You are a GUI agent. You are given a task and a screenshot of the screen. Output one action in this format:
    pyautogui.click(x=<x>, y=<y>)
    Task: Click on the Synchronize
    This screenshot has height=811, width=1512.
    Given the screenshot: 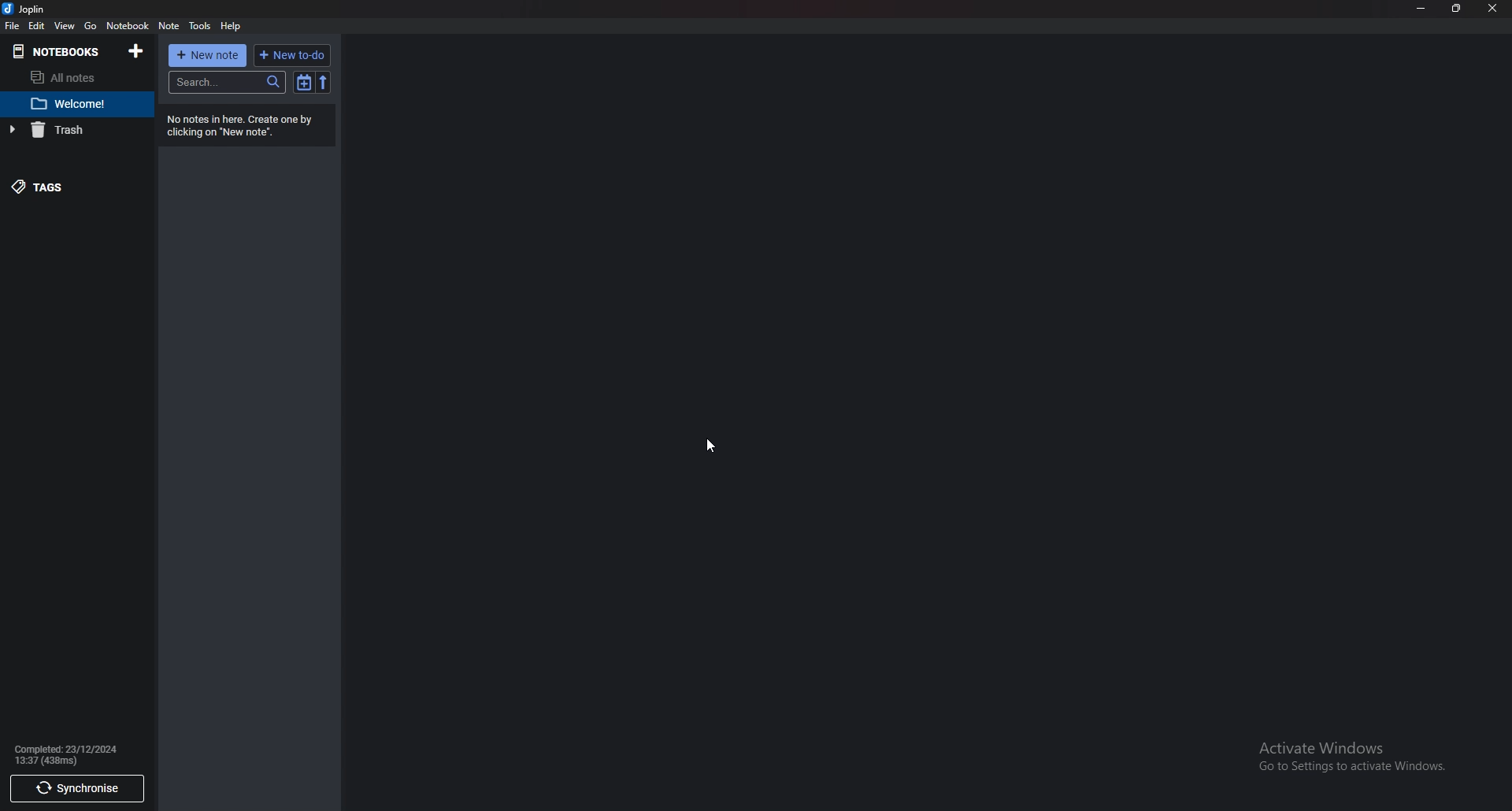 What is the action you would take?
    pyautogui.click(x=76, y=791)
    